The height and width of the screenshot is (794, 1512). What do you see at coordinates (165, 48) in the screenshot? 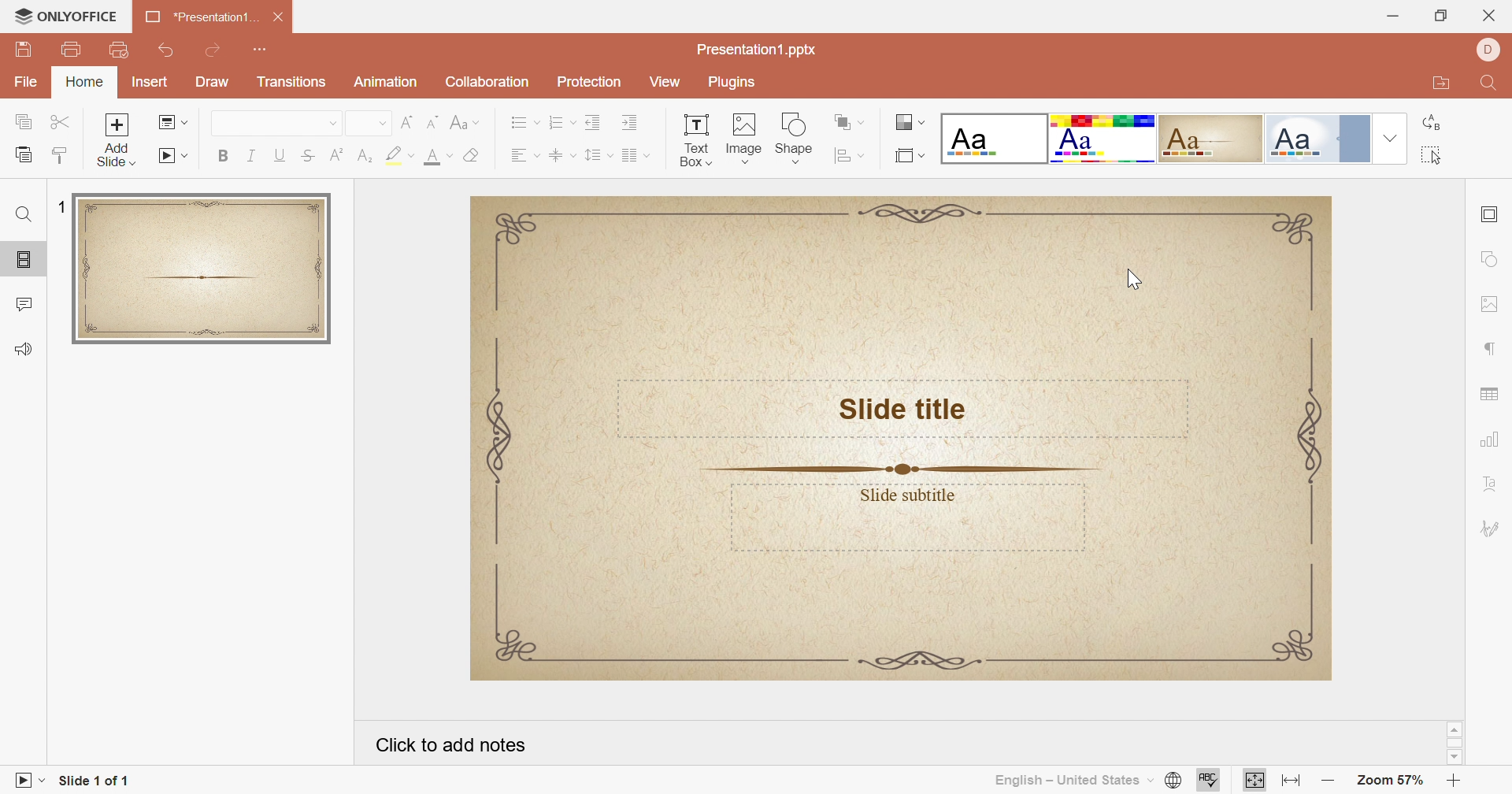
I see `Undo` at bounding box center [165, 48].